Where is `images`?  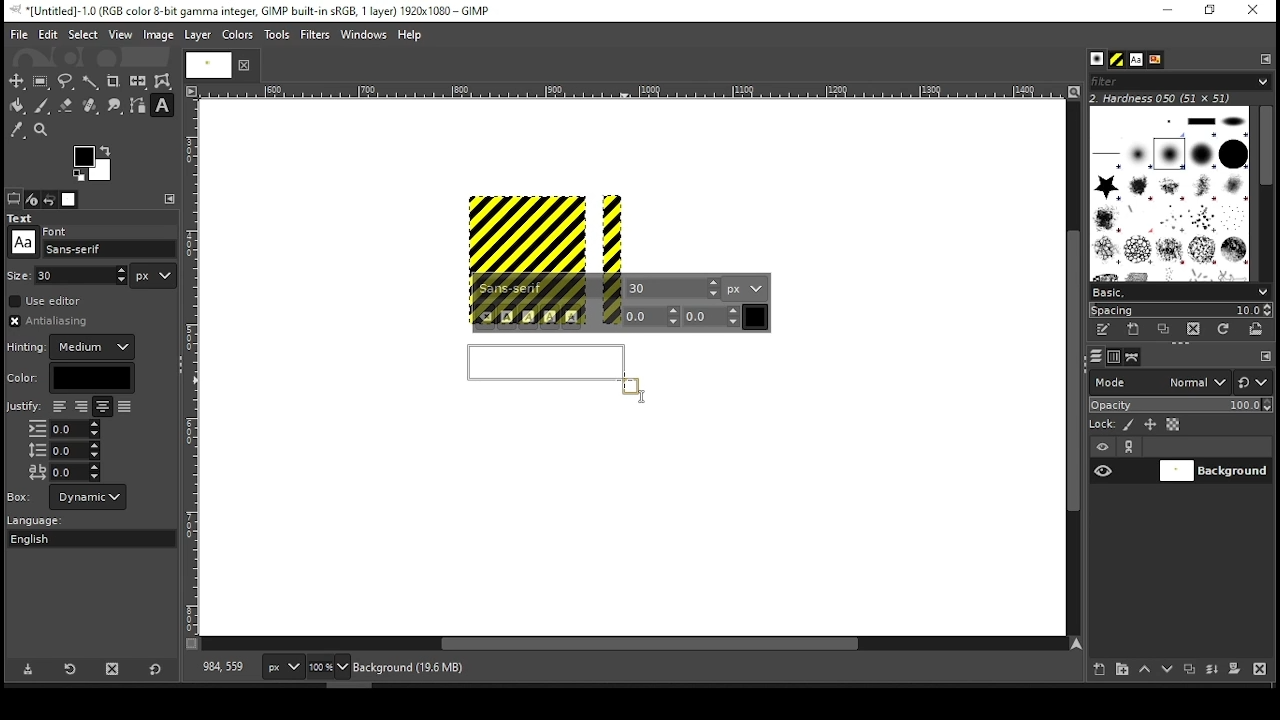
images is located at coordinates (70, 200).